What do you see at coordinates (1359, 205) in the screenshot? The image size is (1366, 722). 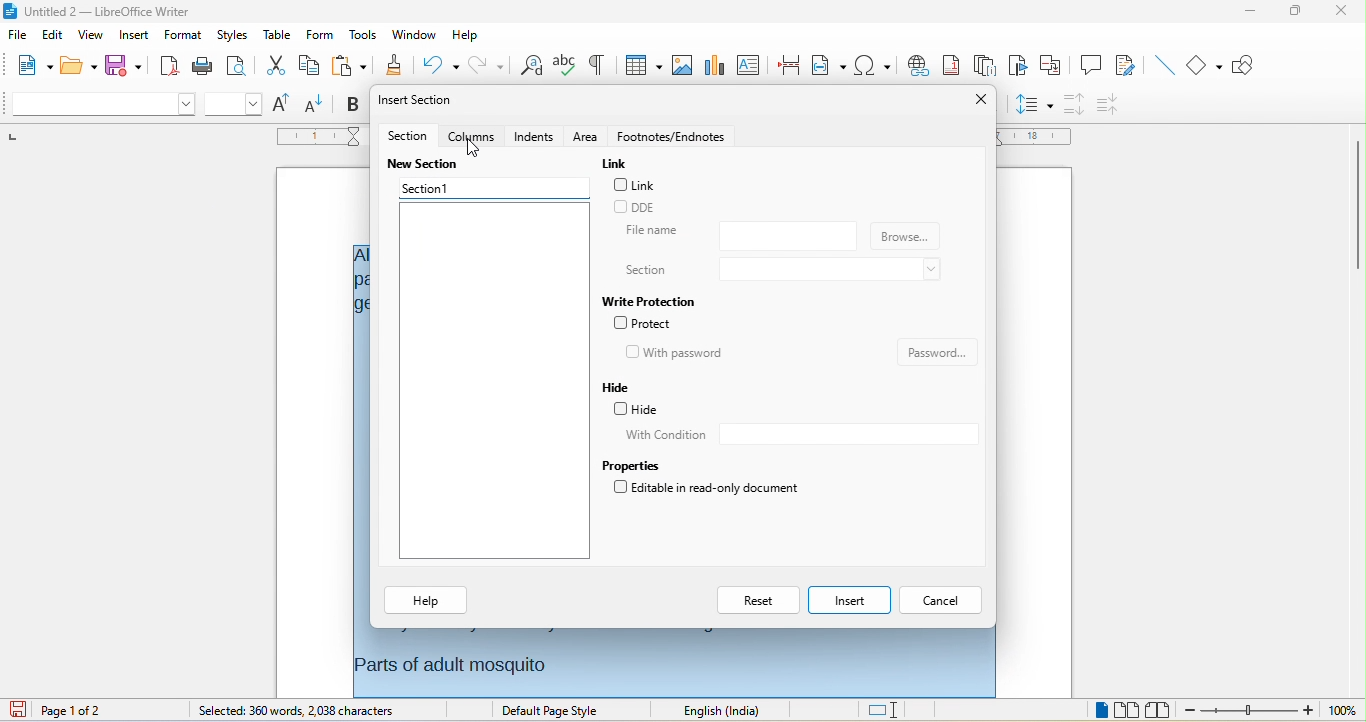 I see `vertical scrollbar` at bounding box center [1359, 205].